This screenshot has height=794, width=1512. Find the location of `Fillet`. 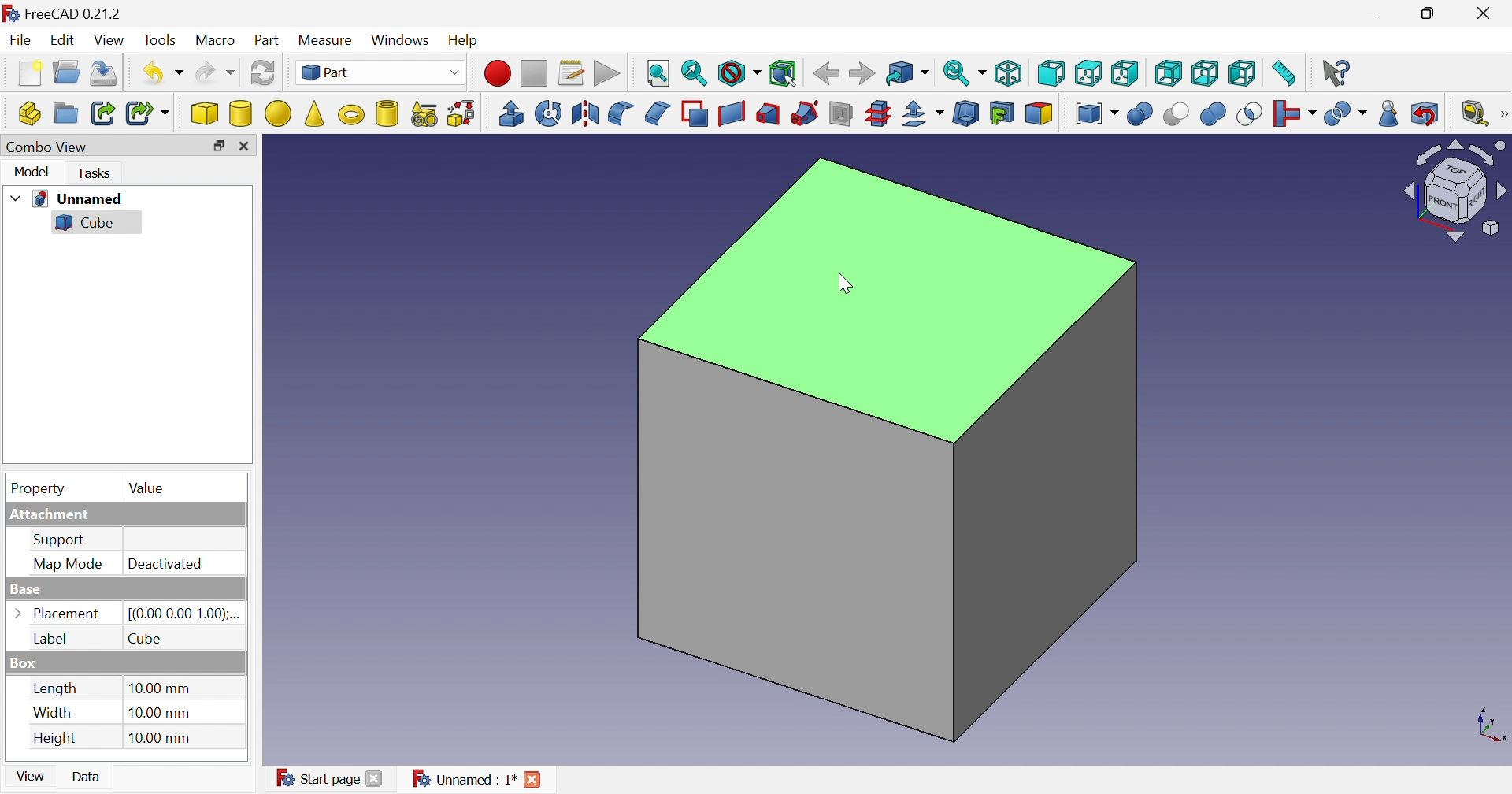

Fillet is located at coordinates (620, 114).